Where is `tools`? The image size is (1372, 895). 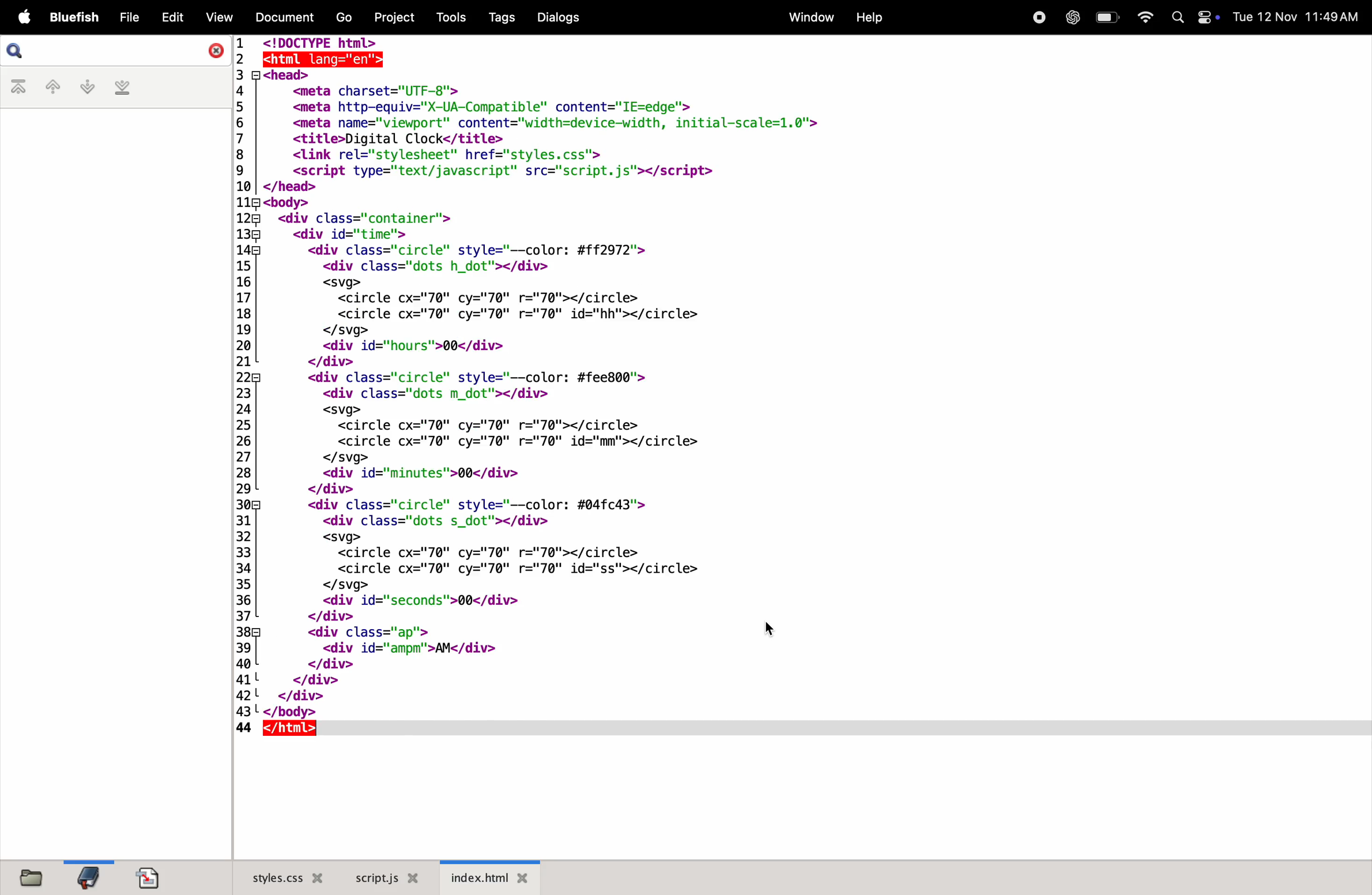 tools is located at coordinates (450, 17).